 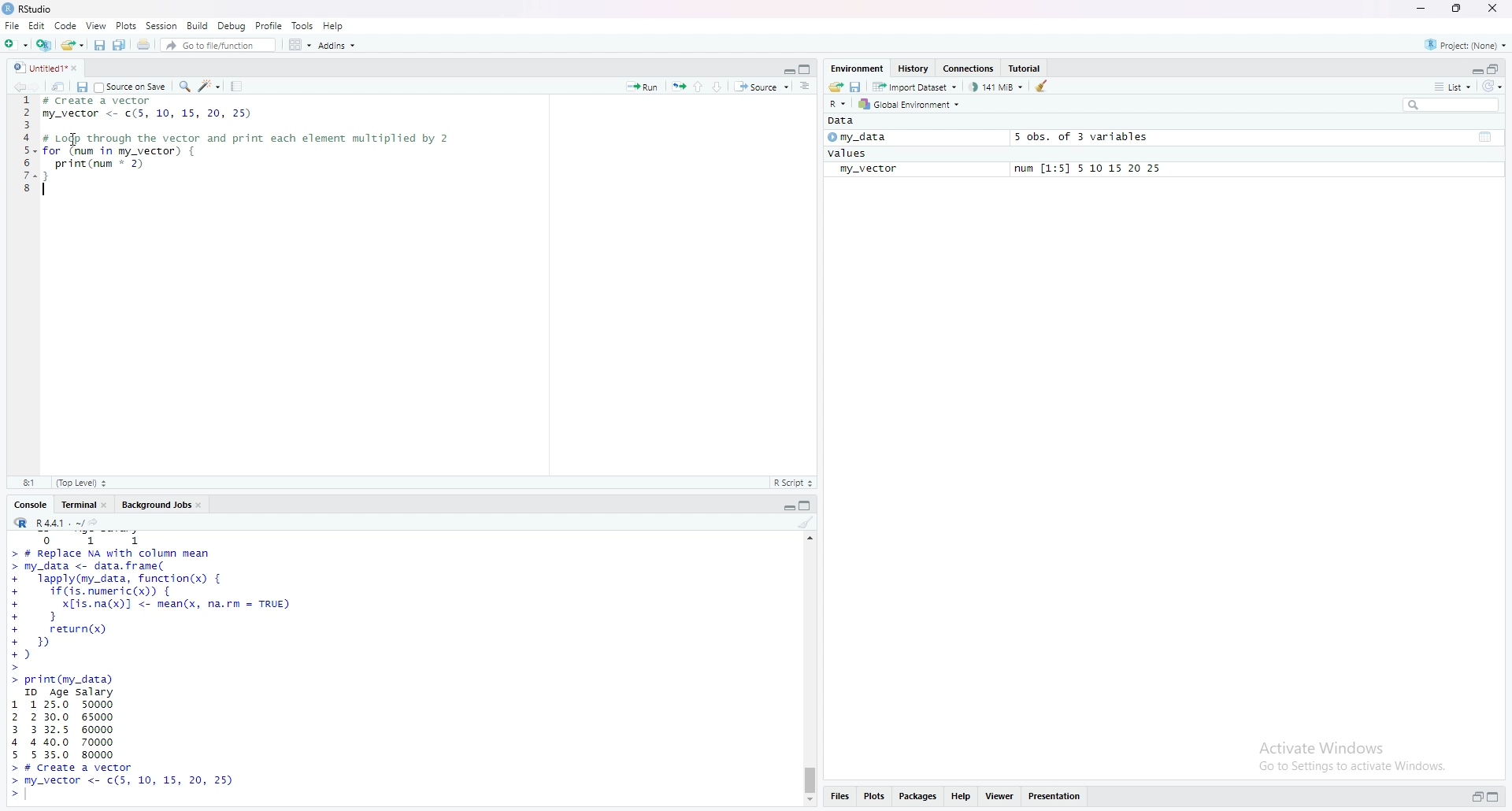 What do you see at coordinates (238, 86) in the screenshot?
I see `compile report` at bounding box center [238, 86].